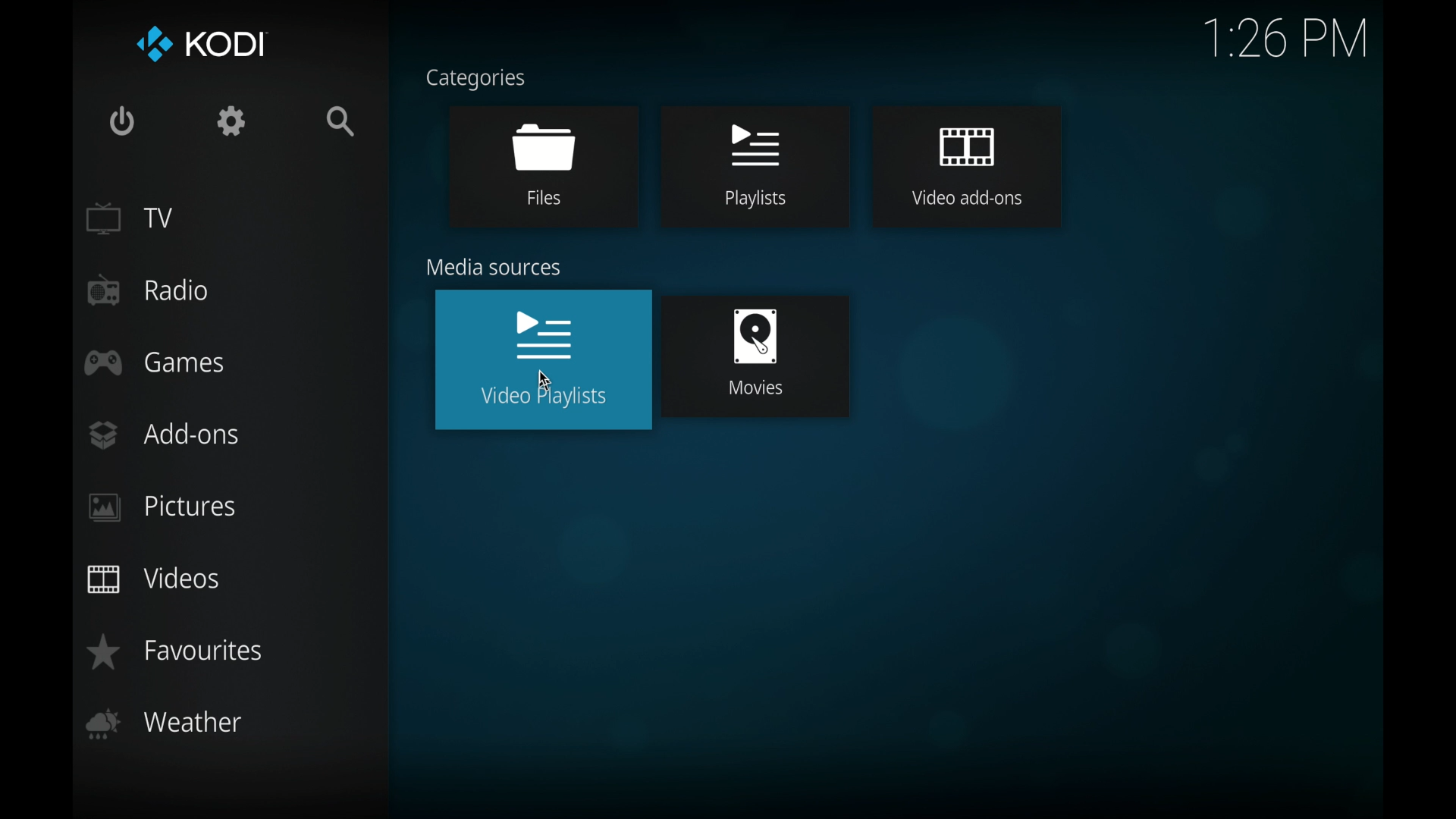 This screenshot has width=1456, height=819. What do you see at coordinates (163, 507) in the screenshot?
I see `pictures` at bounding box center [163, 507].